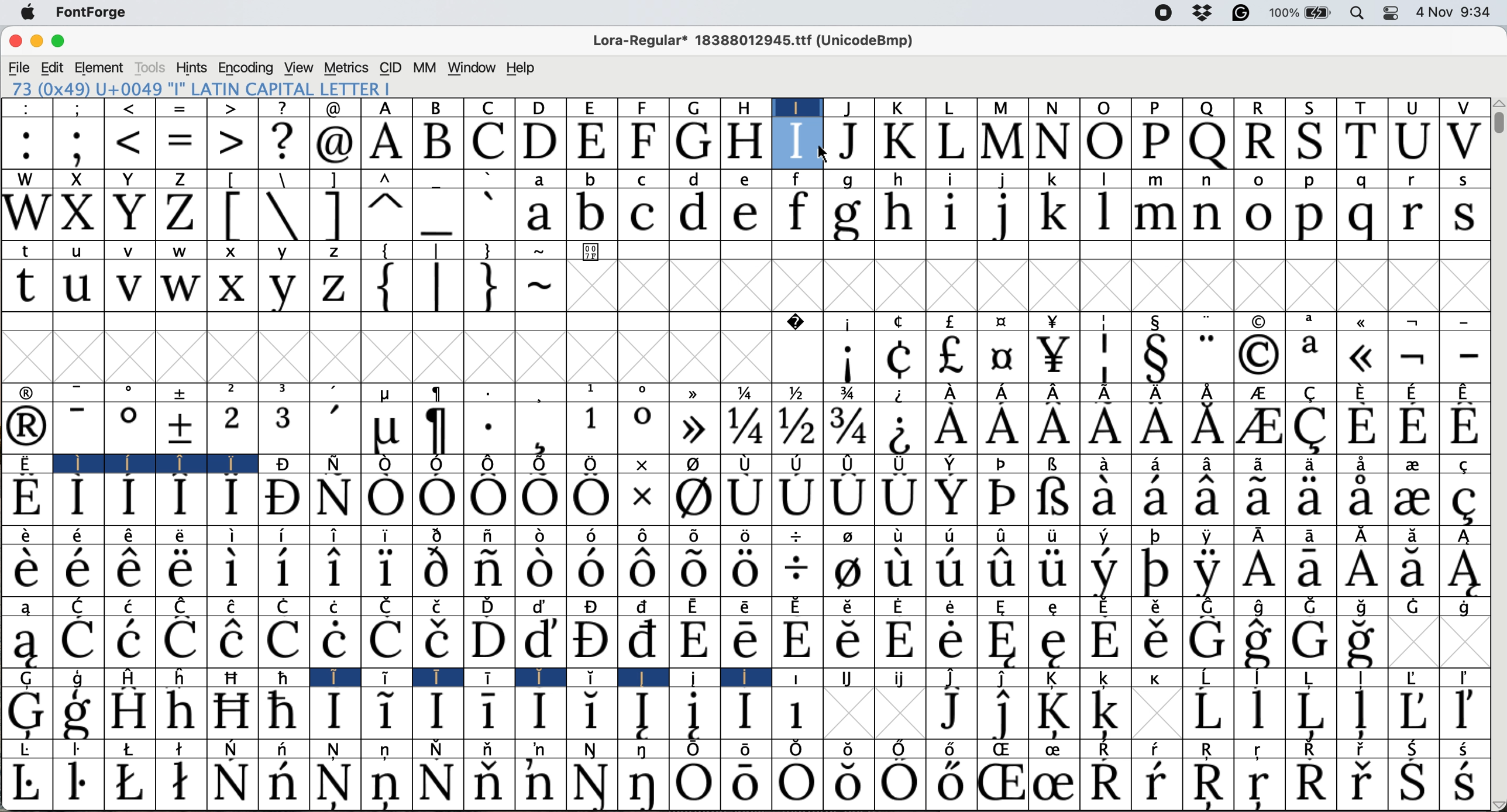 This screenshot has height=812, width=1507. I want to click on Y, so click(129, 215).